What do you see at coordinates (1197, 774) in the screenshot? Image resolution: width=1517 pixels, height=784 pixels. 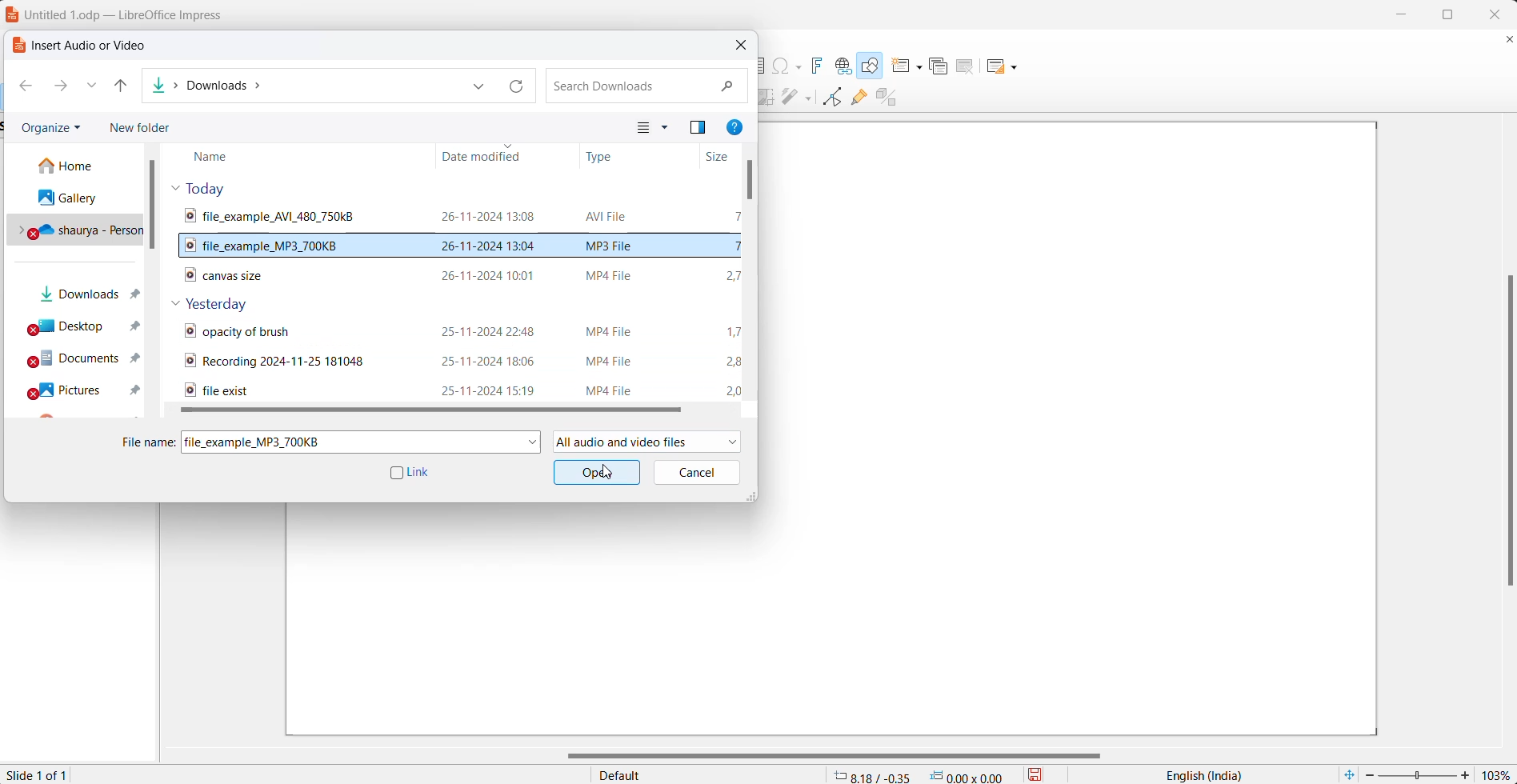 I see `` at bounding box center [1197, 774].